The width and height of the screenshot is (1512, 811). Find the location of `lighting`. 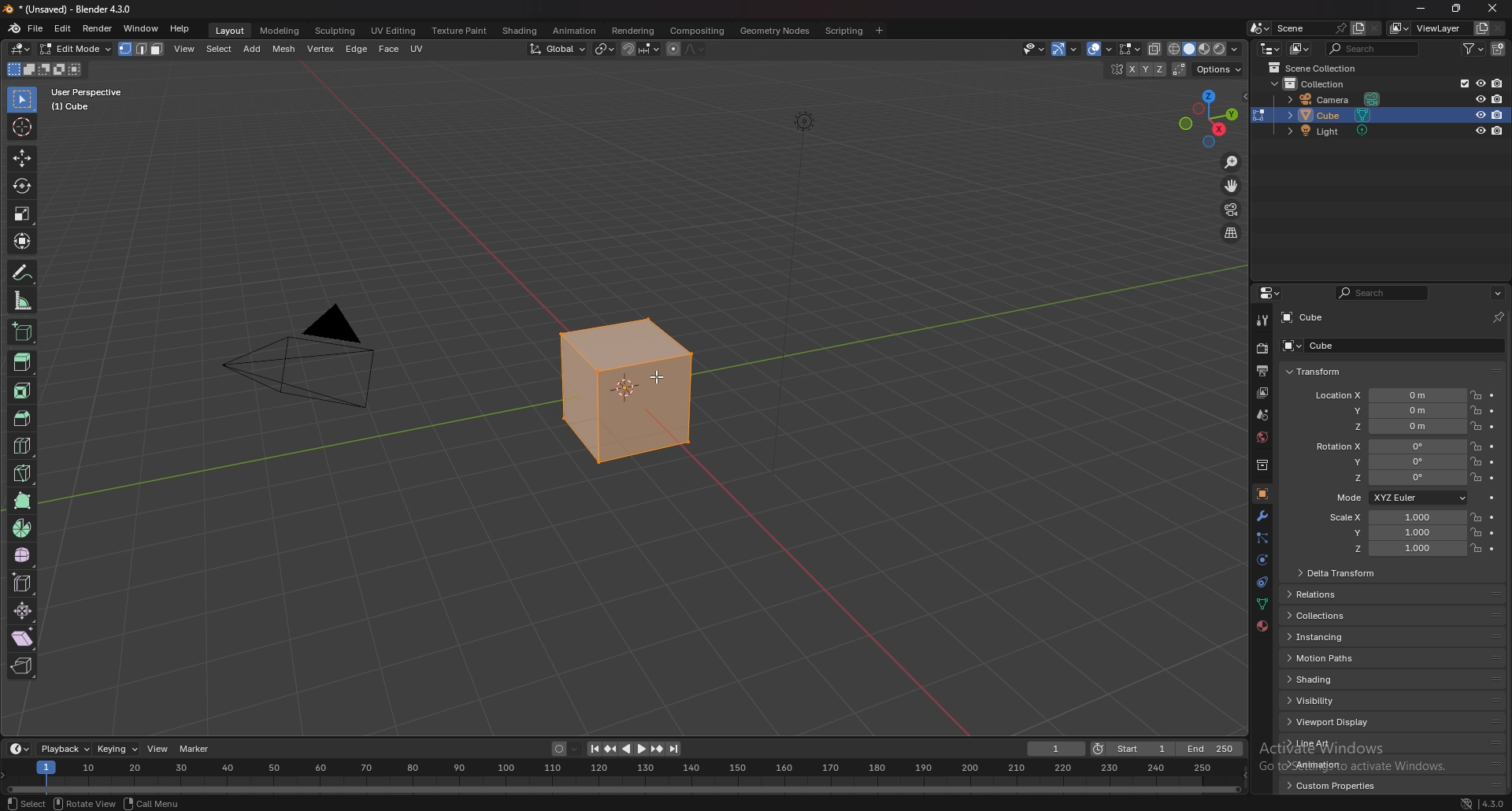

lighting is located at coordinates (809, 124).